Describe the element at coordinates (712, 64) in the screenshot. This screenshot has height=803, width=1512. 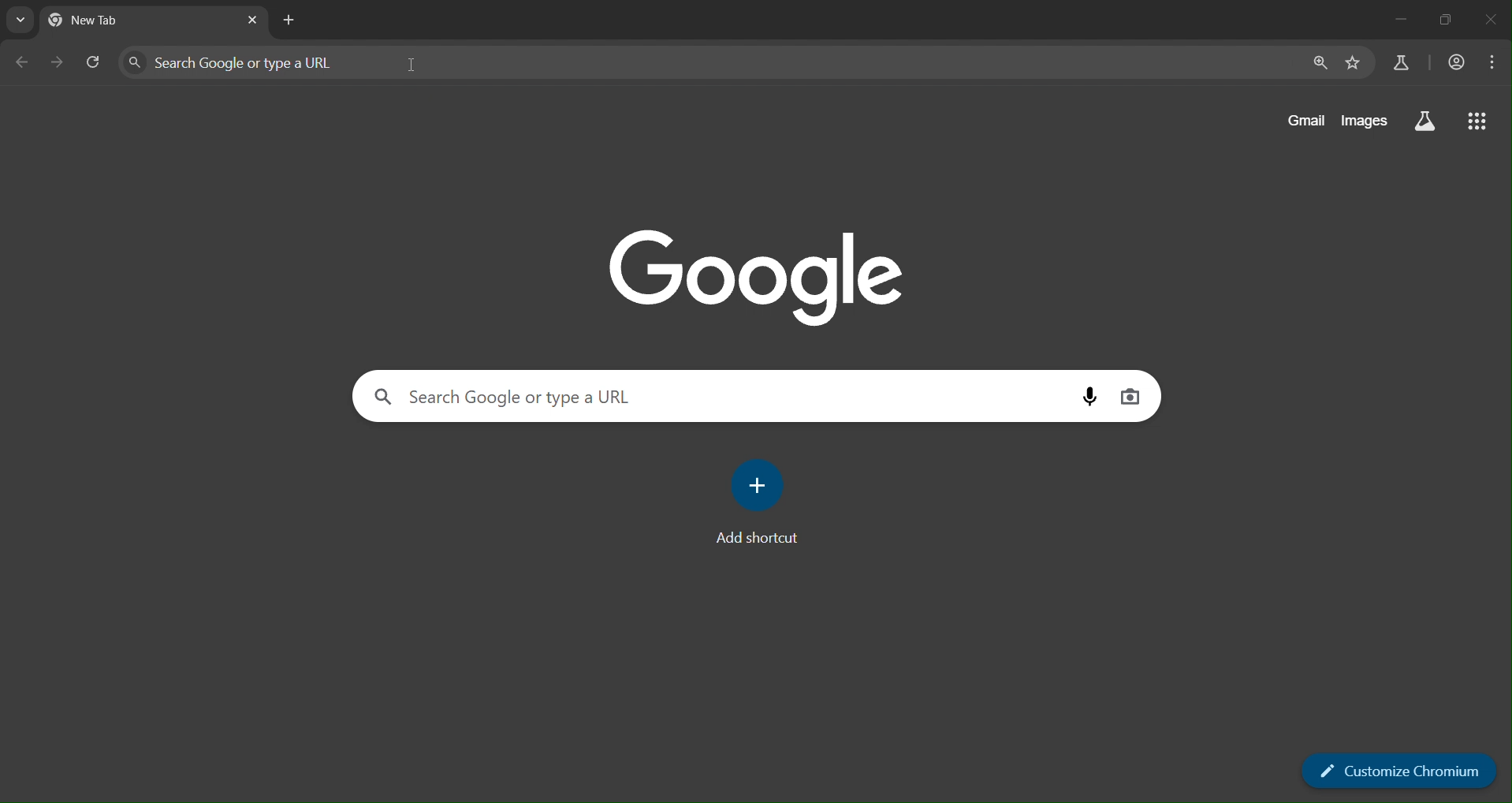
I see `search google or type a URL` at that location.